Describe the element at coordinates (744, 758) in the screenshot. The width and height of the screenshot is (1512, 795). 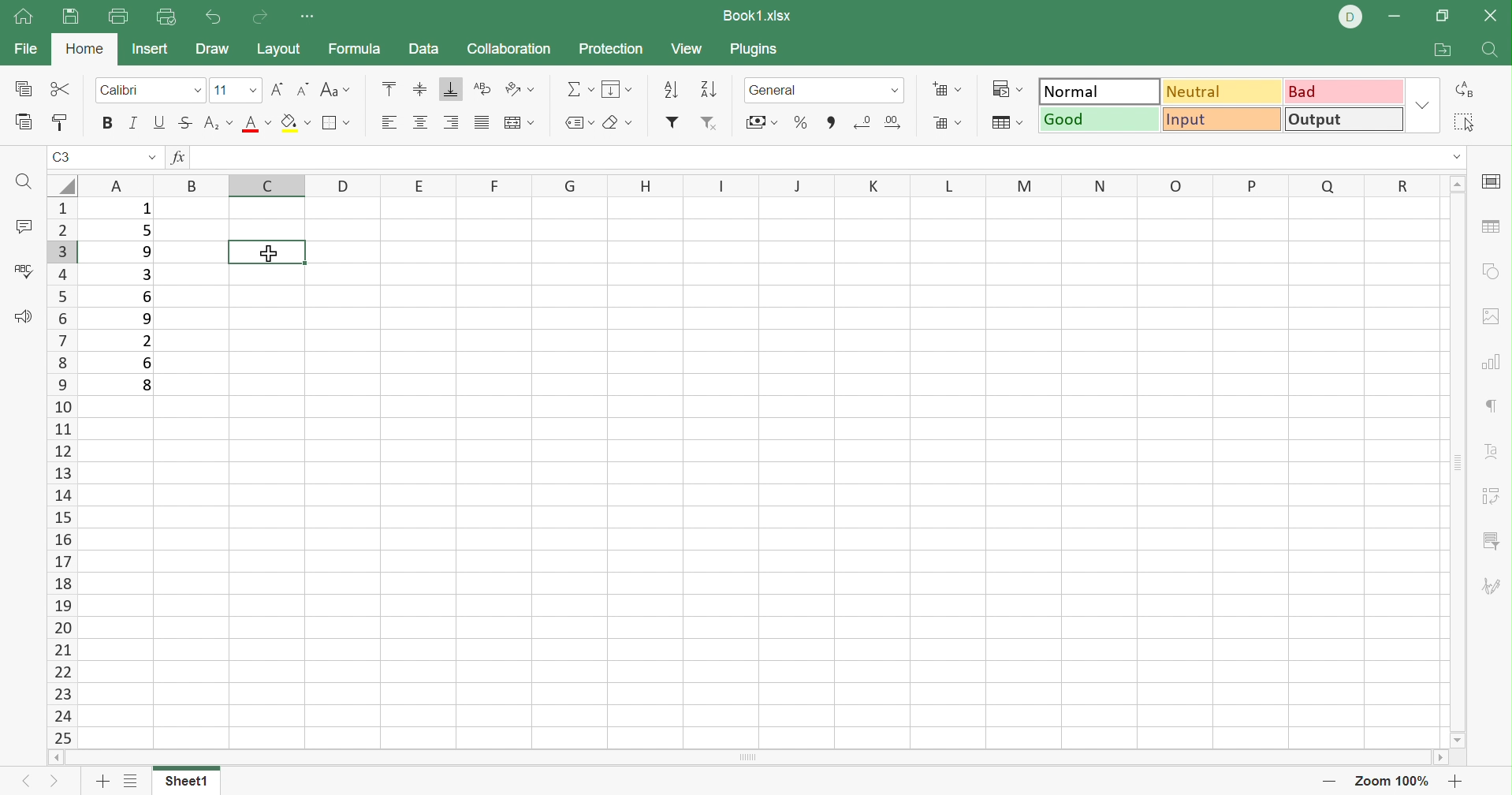
I see `Scroll Bar` at that location.